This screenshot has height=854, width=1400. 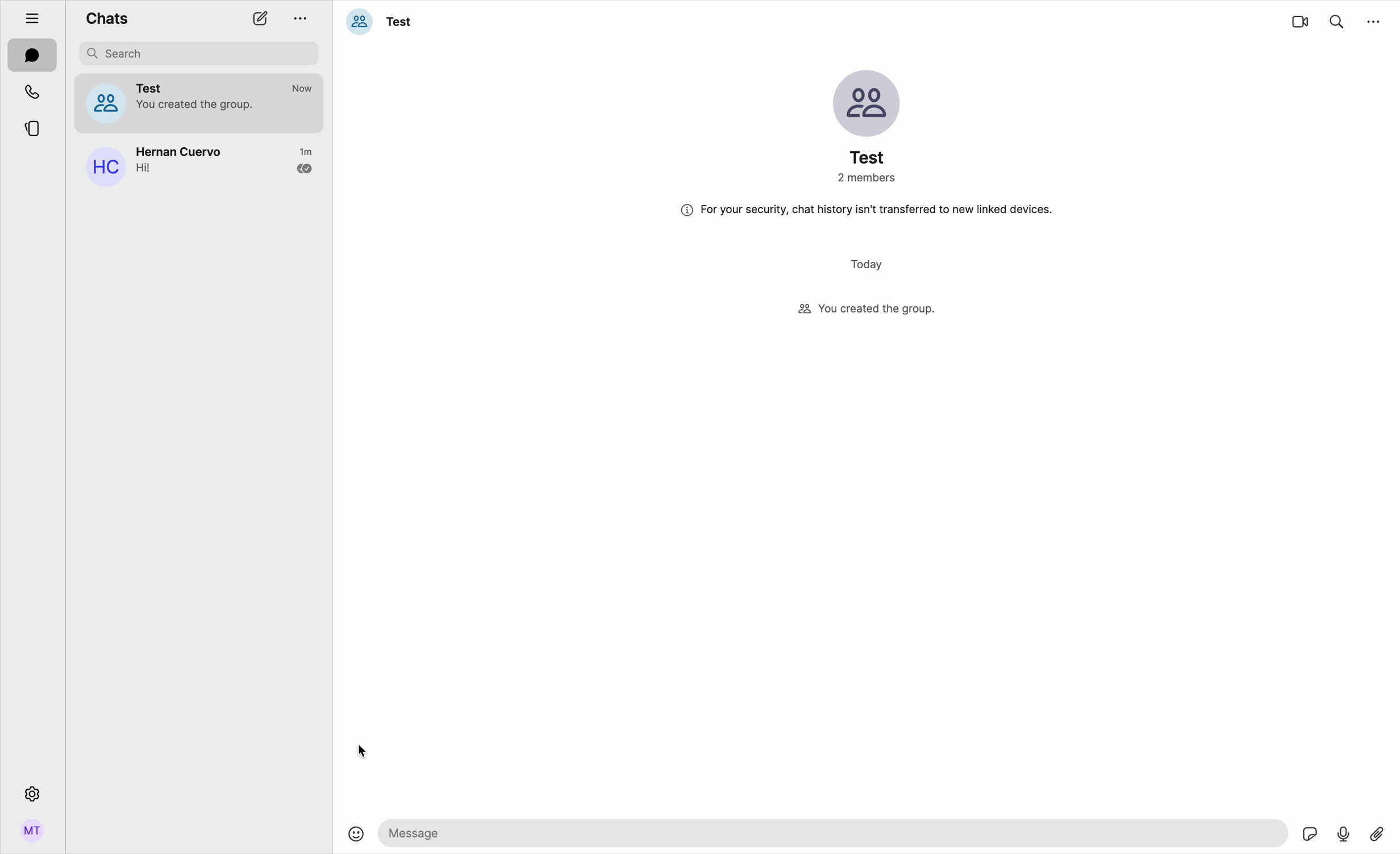 I want to click on search, so click(x=1337, y=19).